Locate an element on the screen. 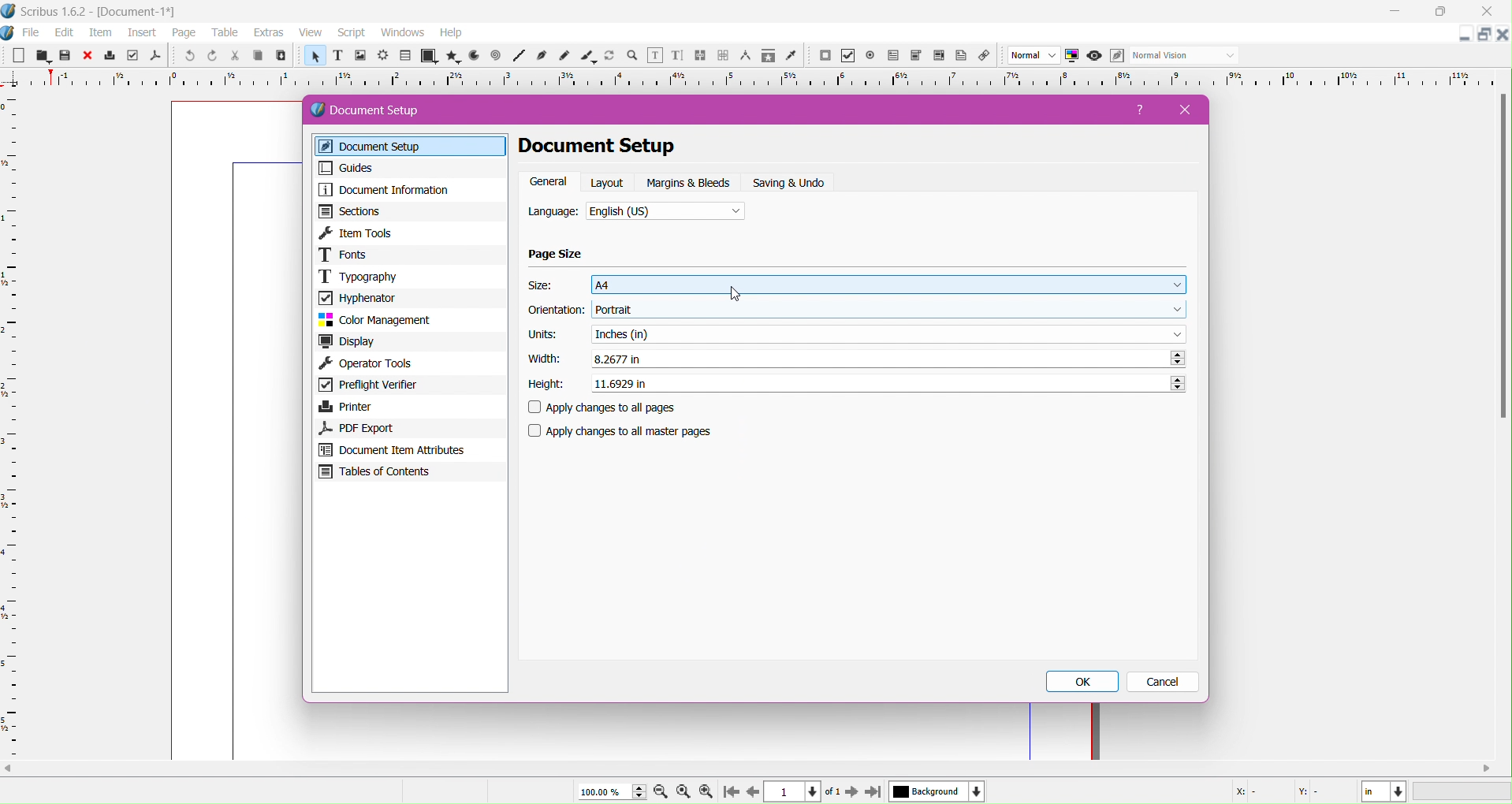 The width and height of the screenshot is (1512, 804). cut is located at coordinates (233, 57).